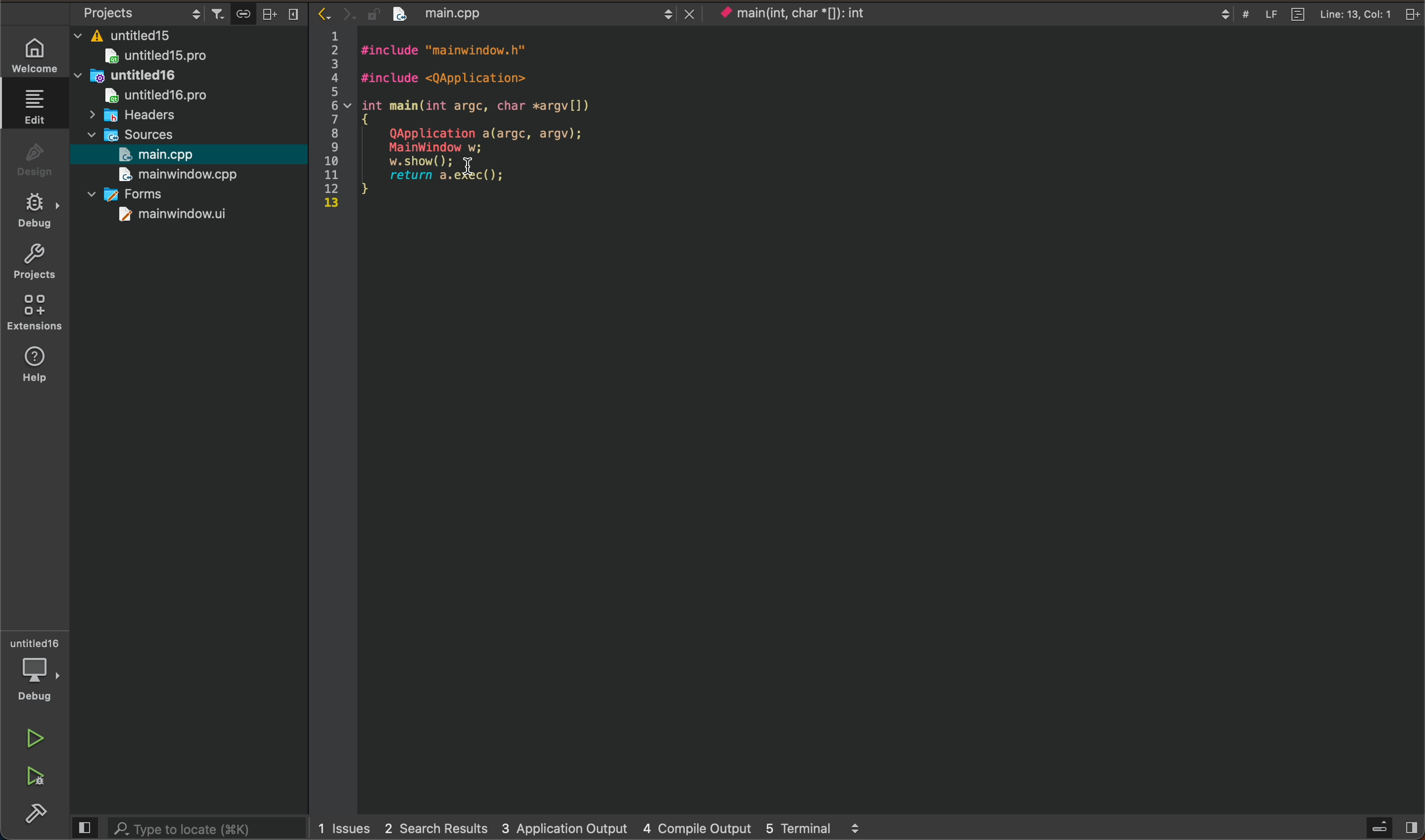 This screenshot has height=840, width=1425. I want to click on headers, so click(131, 115).